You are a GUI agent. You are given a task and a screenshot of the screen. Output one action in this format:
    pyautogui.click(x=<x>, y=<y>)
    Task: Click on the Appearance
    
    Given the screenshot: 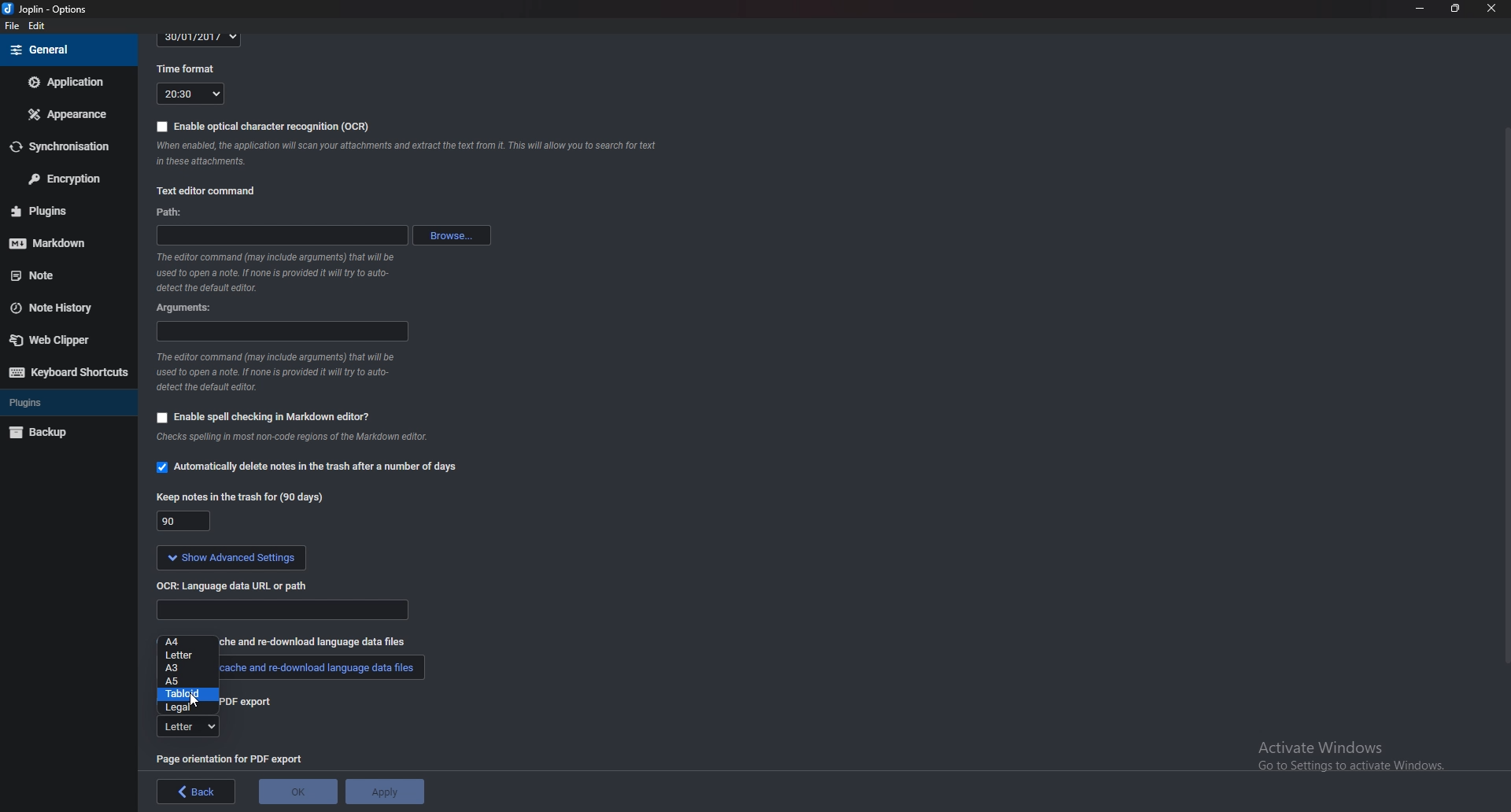 What is the action you would take?
    pyautogui.click(x=65, y=115)
    